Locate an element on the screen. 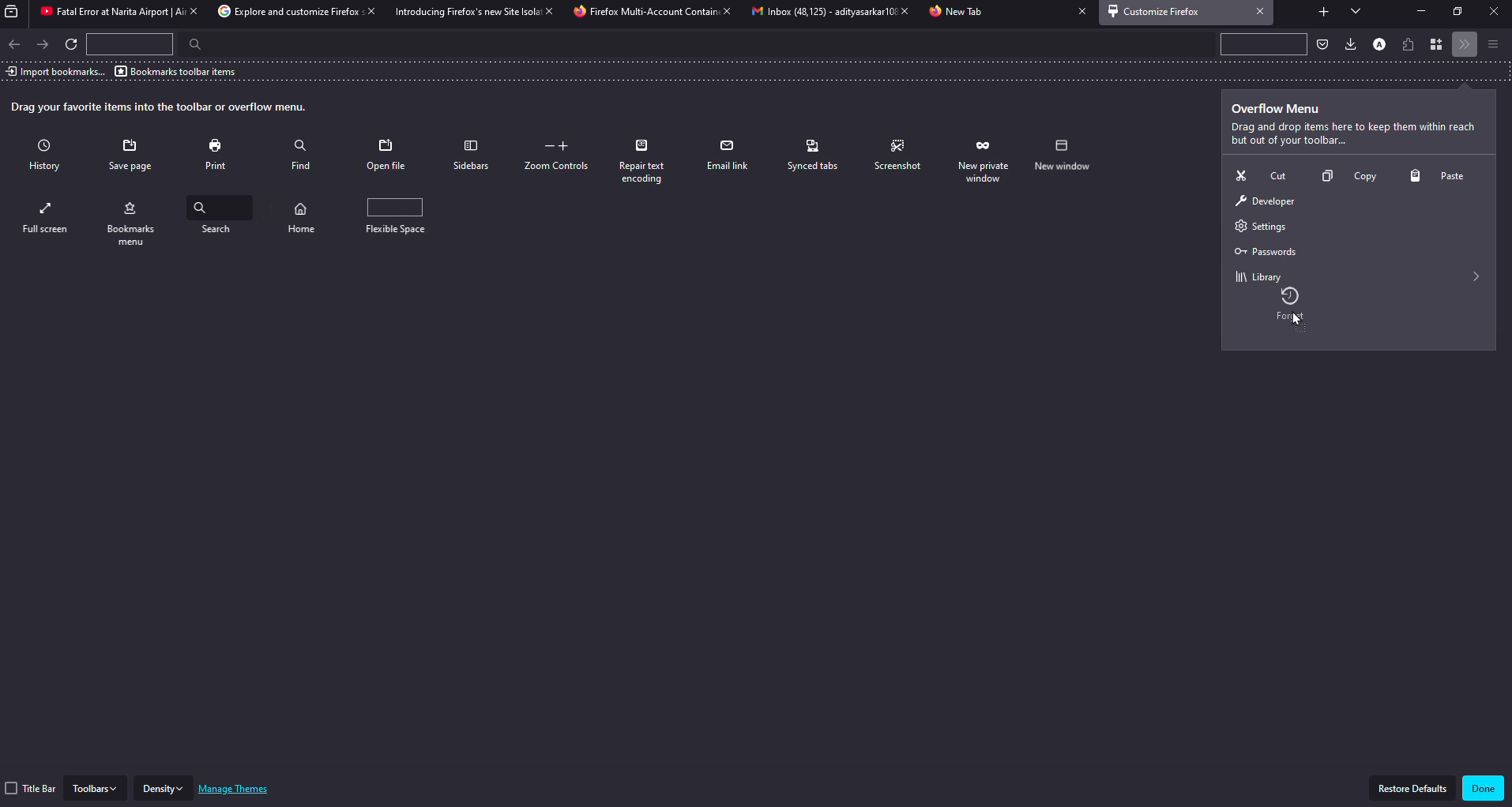  close is located at coordinates (191, 11).